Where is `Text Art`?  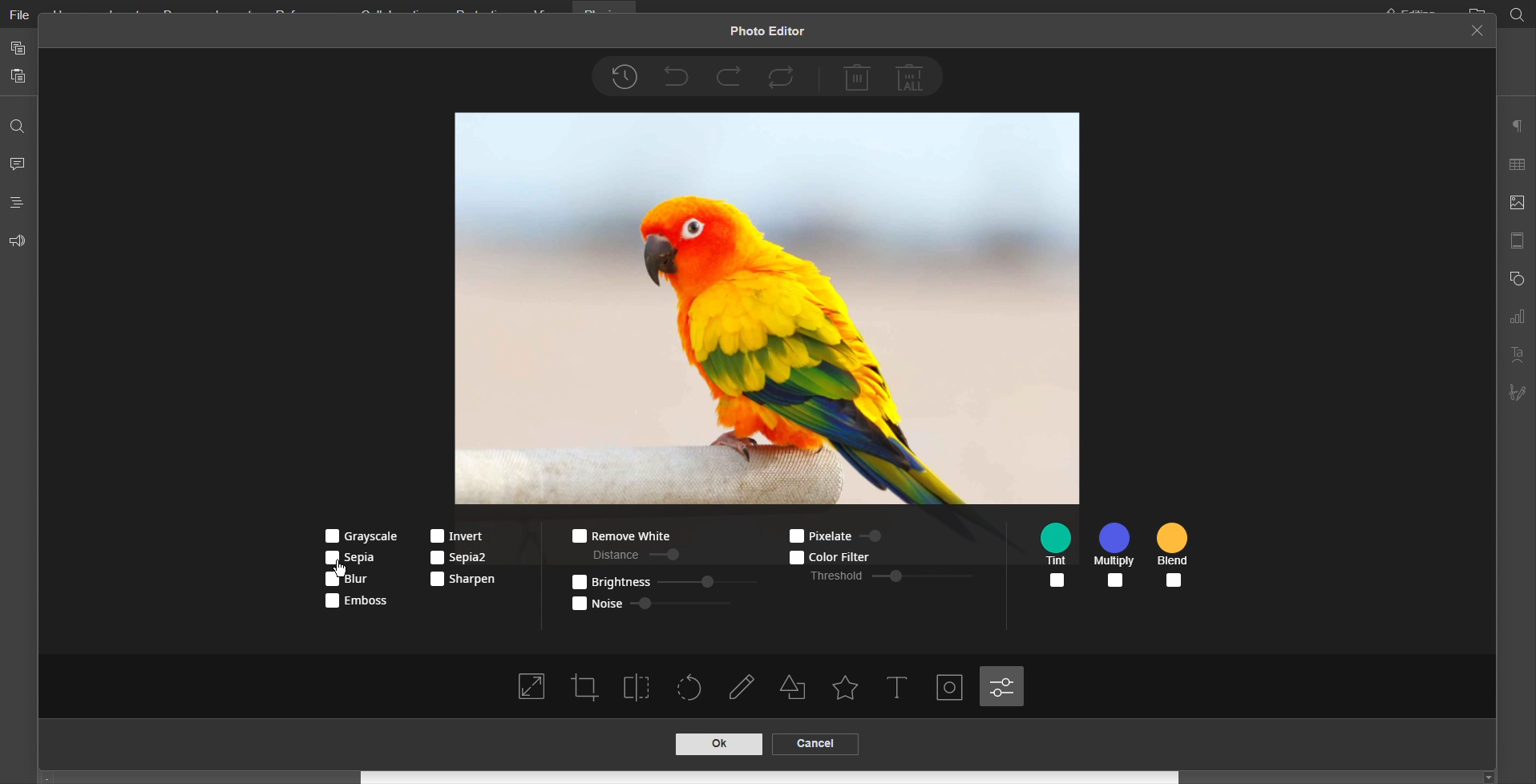 Text Art is located at coordinates (1515, 355).